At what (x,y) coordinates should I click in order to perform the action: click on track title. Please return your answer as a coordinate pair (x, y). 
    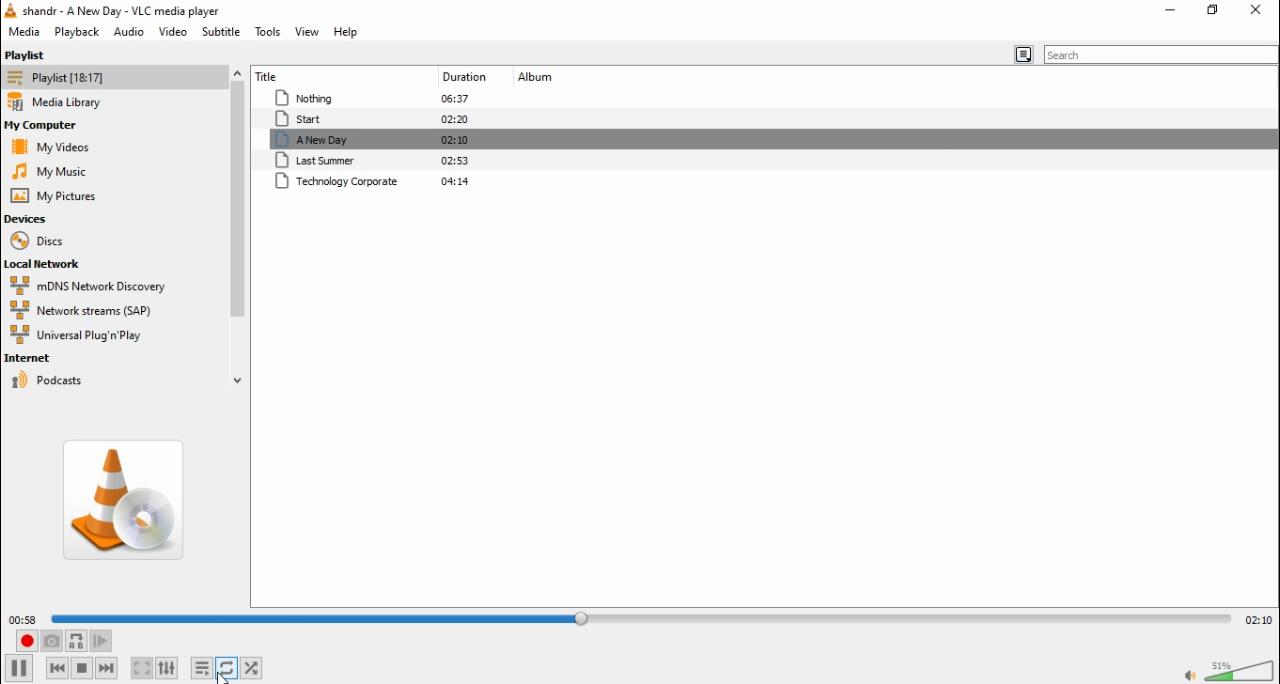
    Looking at the image, I should click on (315, 74).